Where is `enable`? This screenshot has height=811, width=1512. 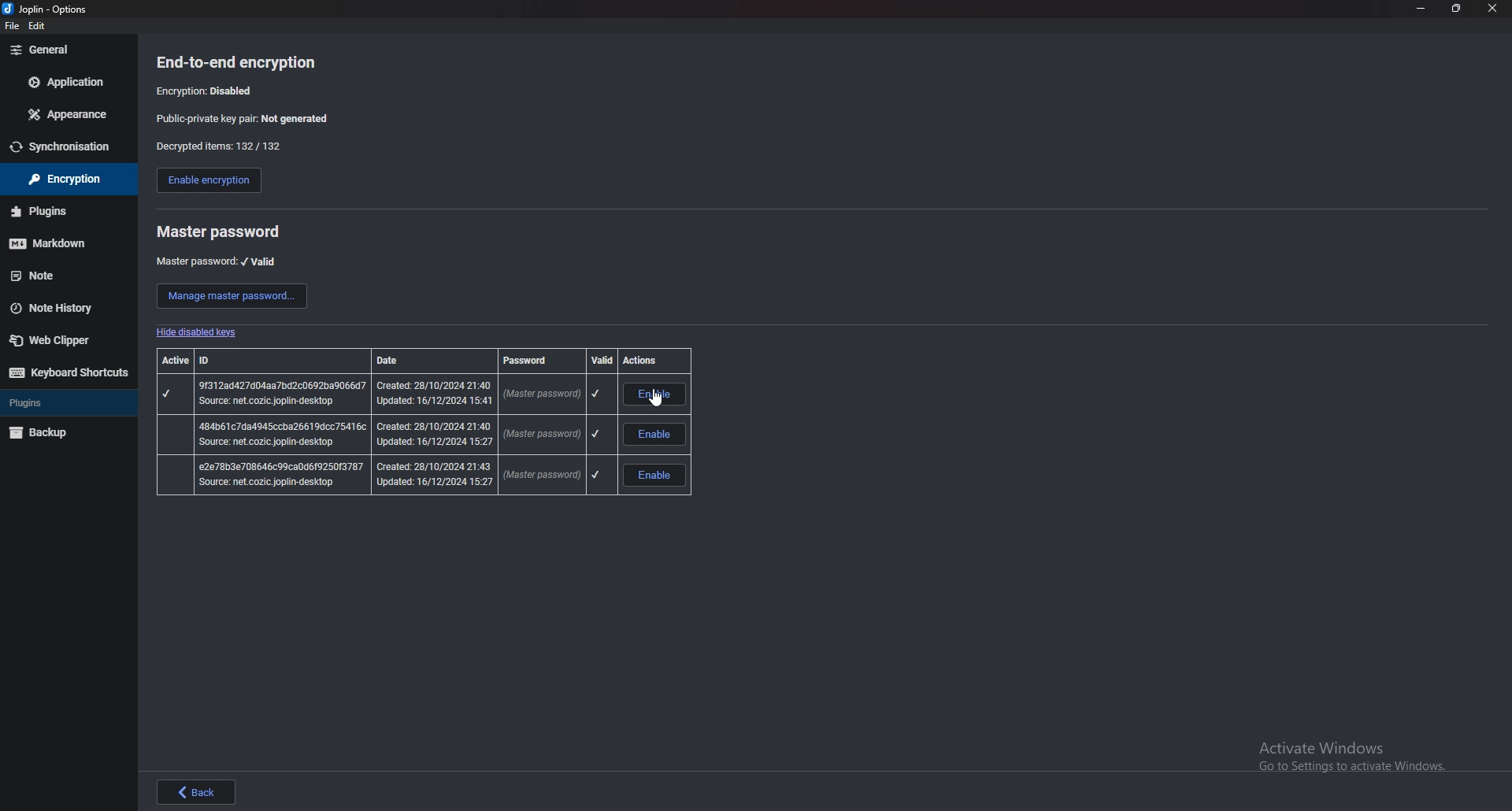
enable is located at coordinates (657, 476).